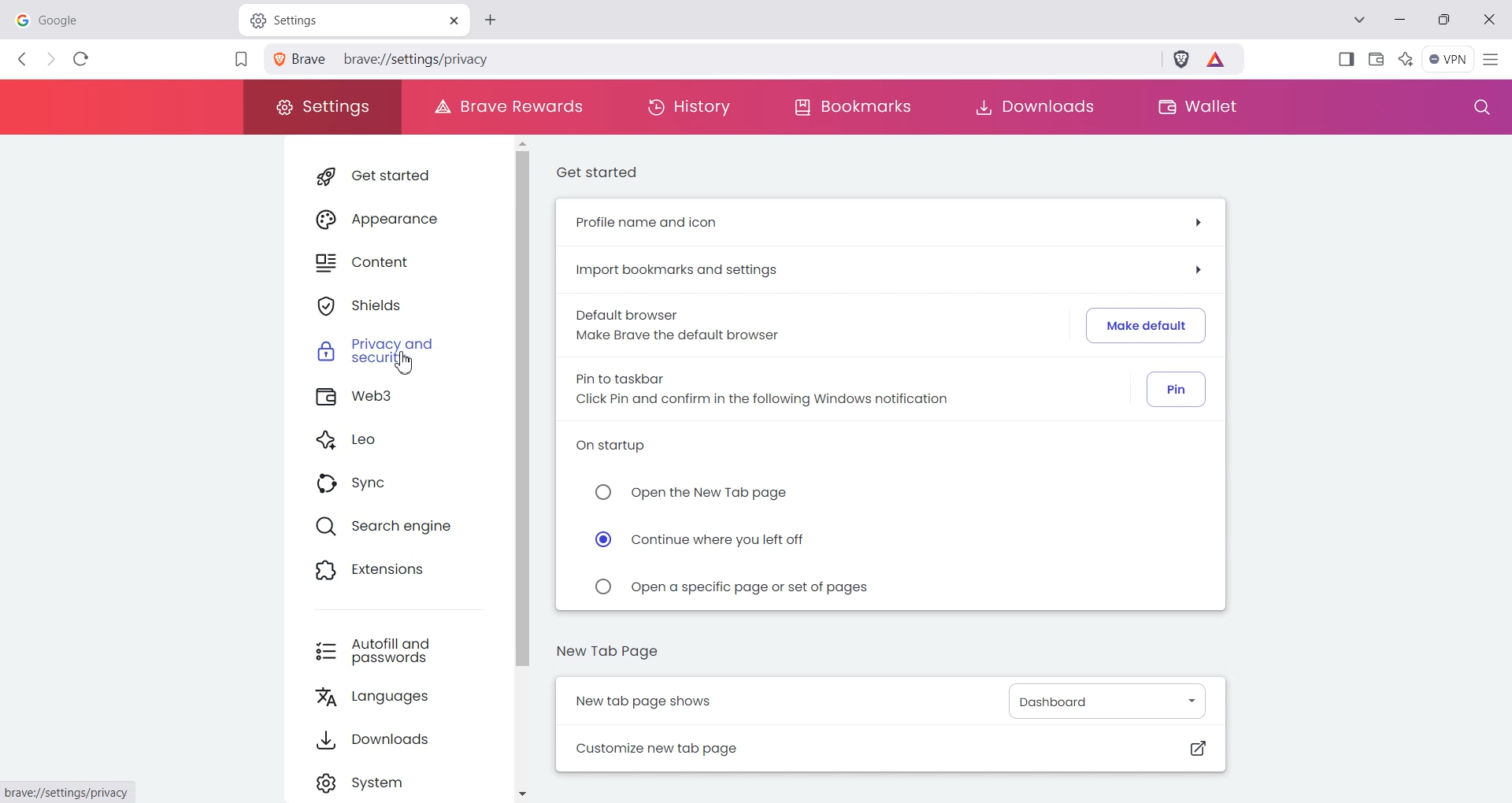  Describe the element at coordinates (1217, 61) in the screenshot. I see `Brave Reward` at that location.